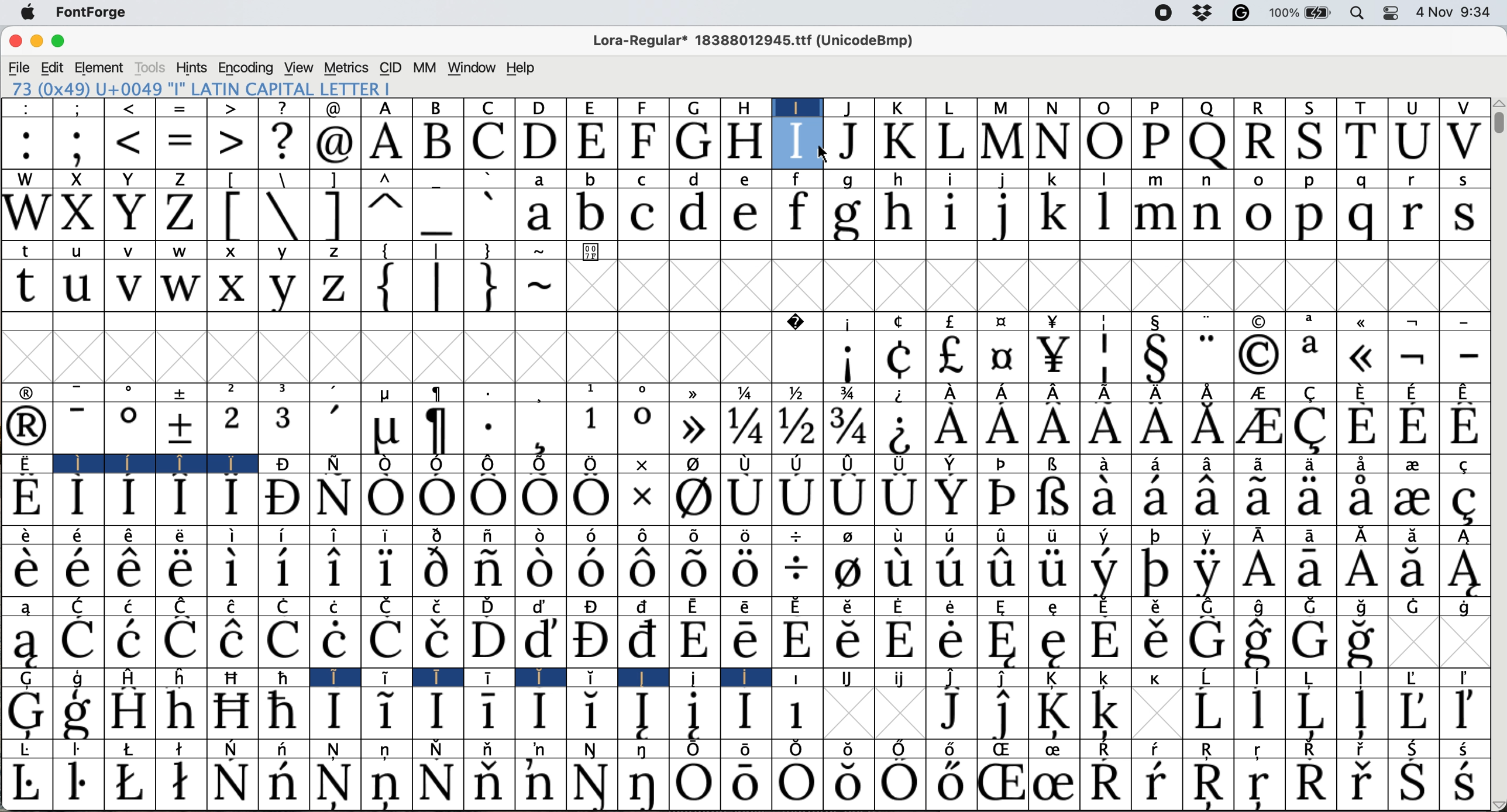  What do you see at coordinates (744, 215) in the screenshot?
I see `e` at bounding box center [744, 215].